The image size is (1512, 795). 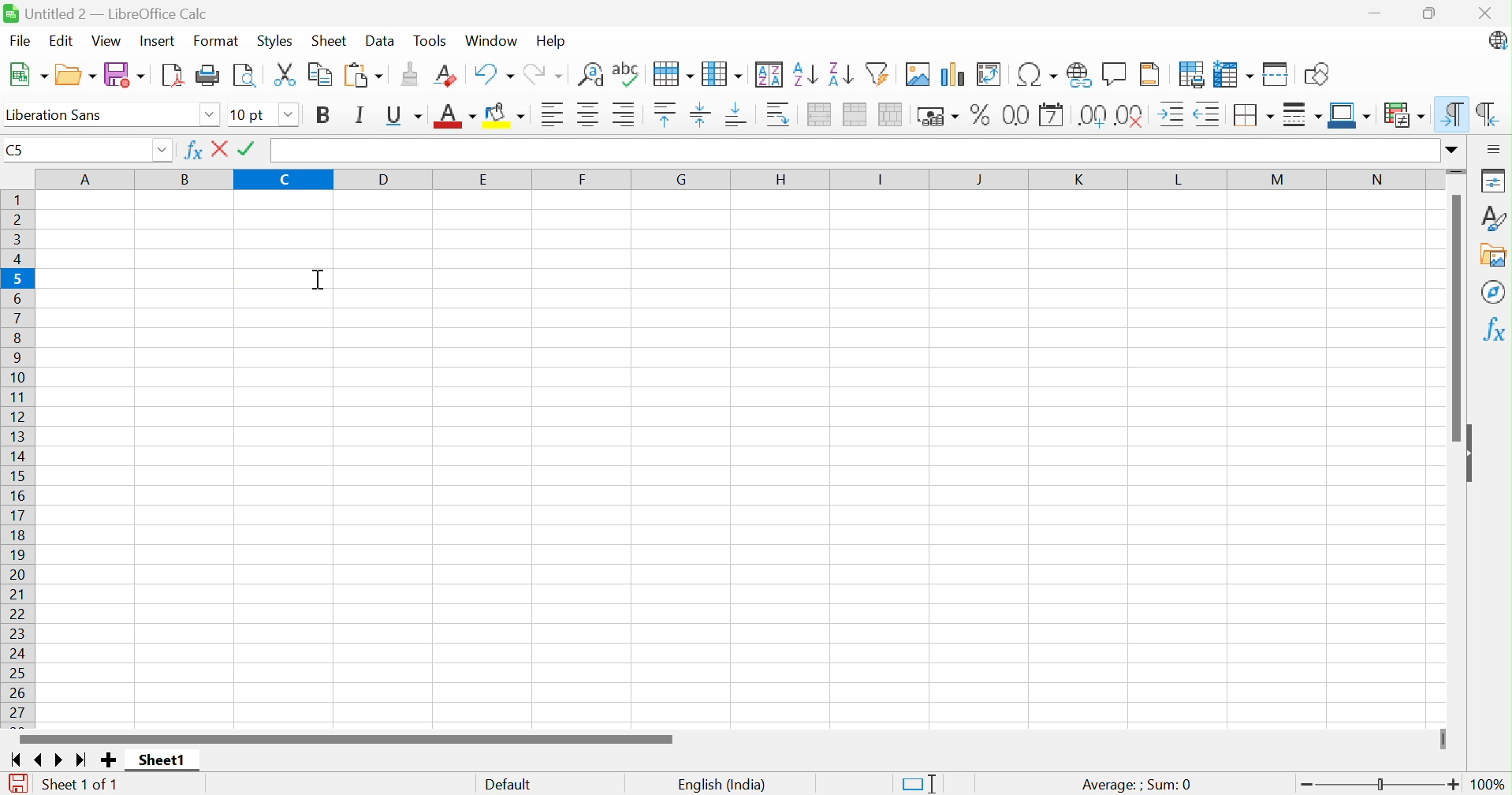 I want to click on Font name, so click(x=251, y=116).